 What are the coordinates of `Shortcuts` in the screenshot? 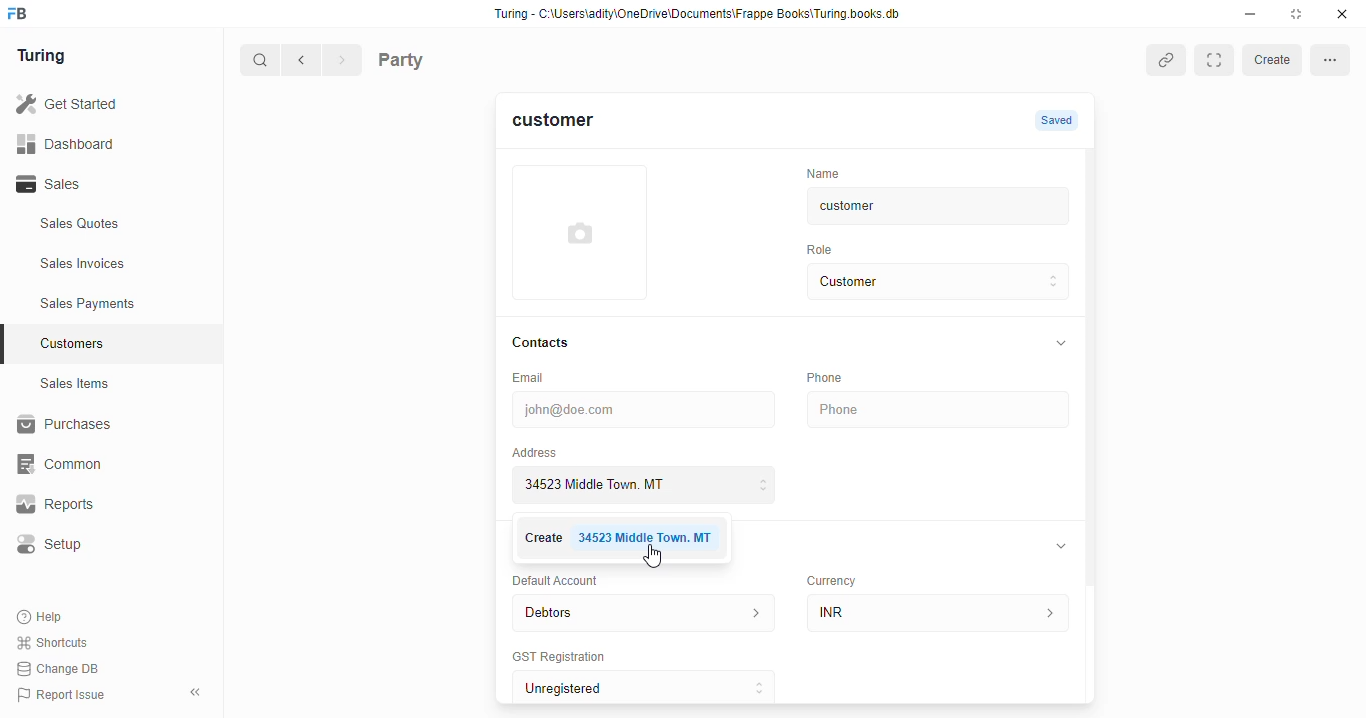 It's located at (58, 643).